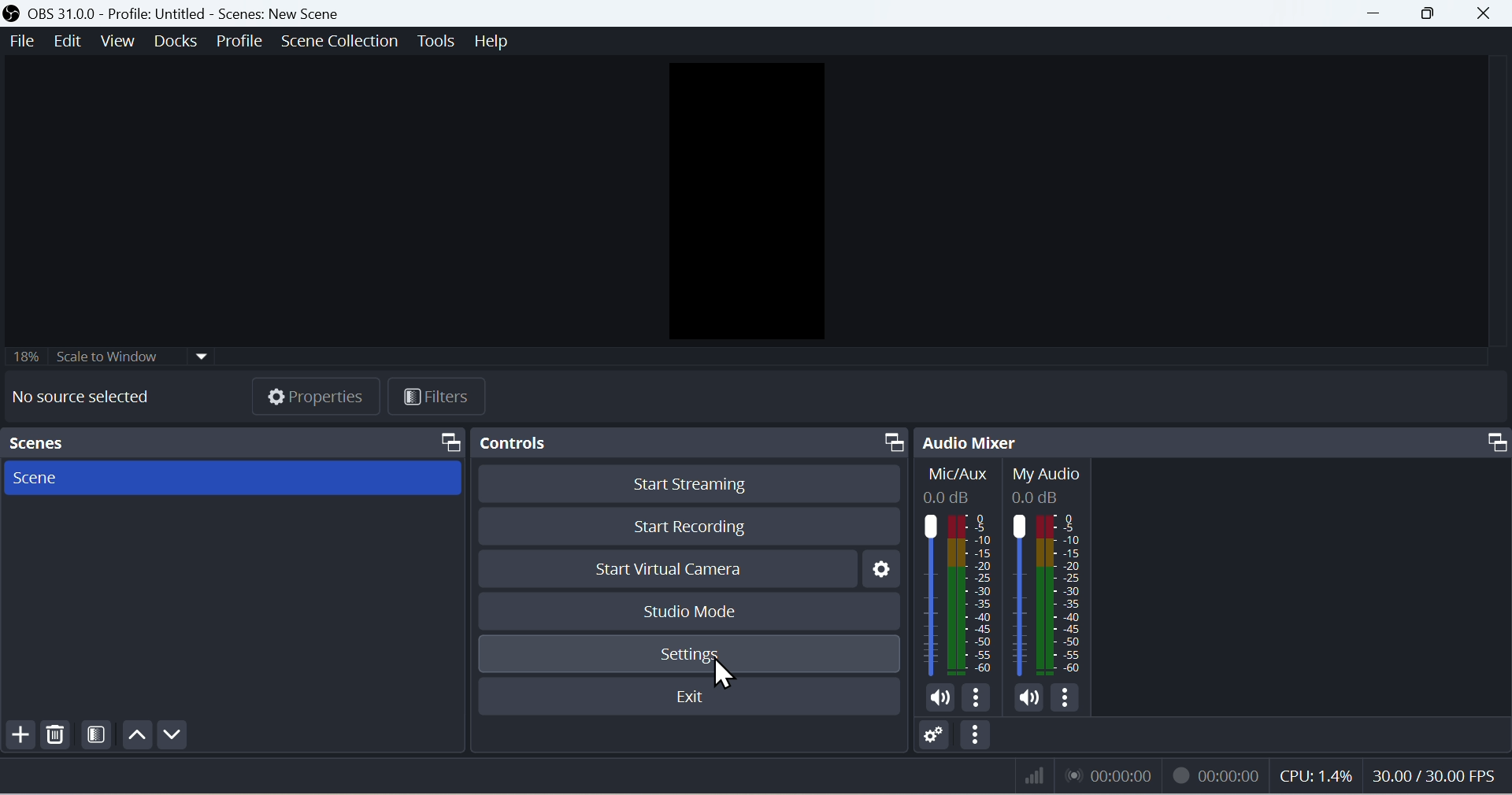 This screenshot has width=1512, height=795. I want to click on scene collection, so click(339, 40).